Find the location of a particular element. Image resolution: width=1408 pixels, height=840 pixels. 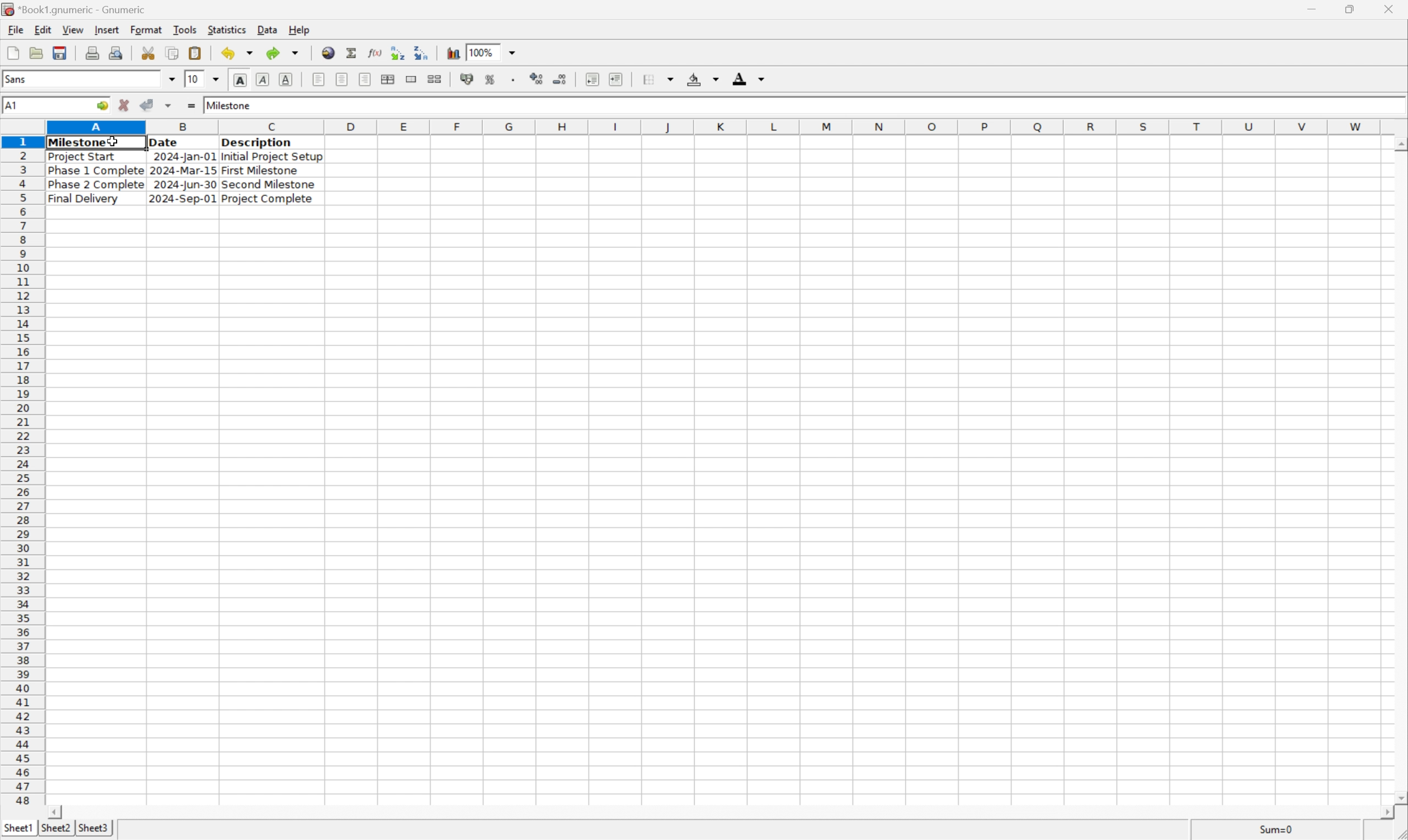

split ranges of merged cells is located at coordinates (435, 79).